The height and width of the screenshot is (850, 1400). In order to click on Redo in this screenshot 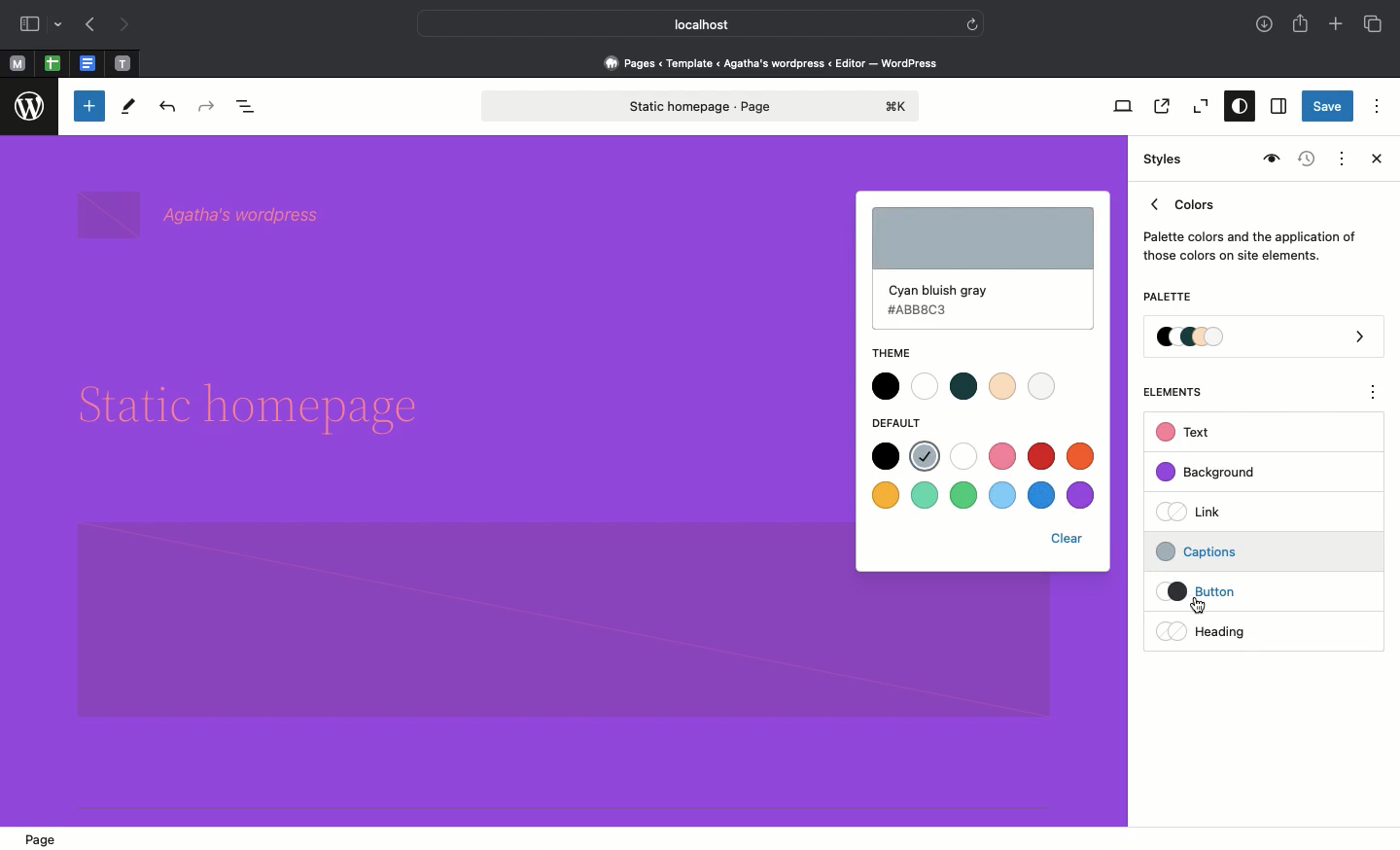, I will do `click(209, 107)`.